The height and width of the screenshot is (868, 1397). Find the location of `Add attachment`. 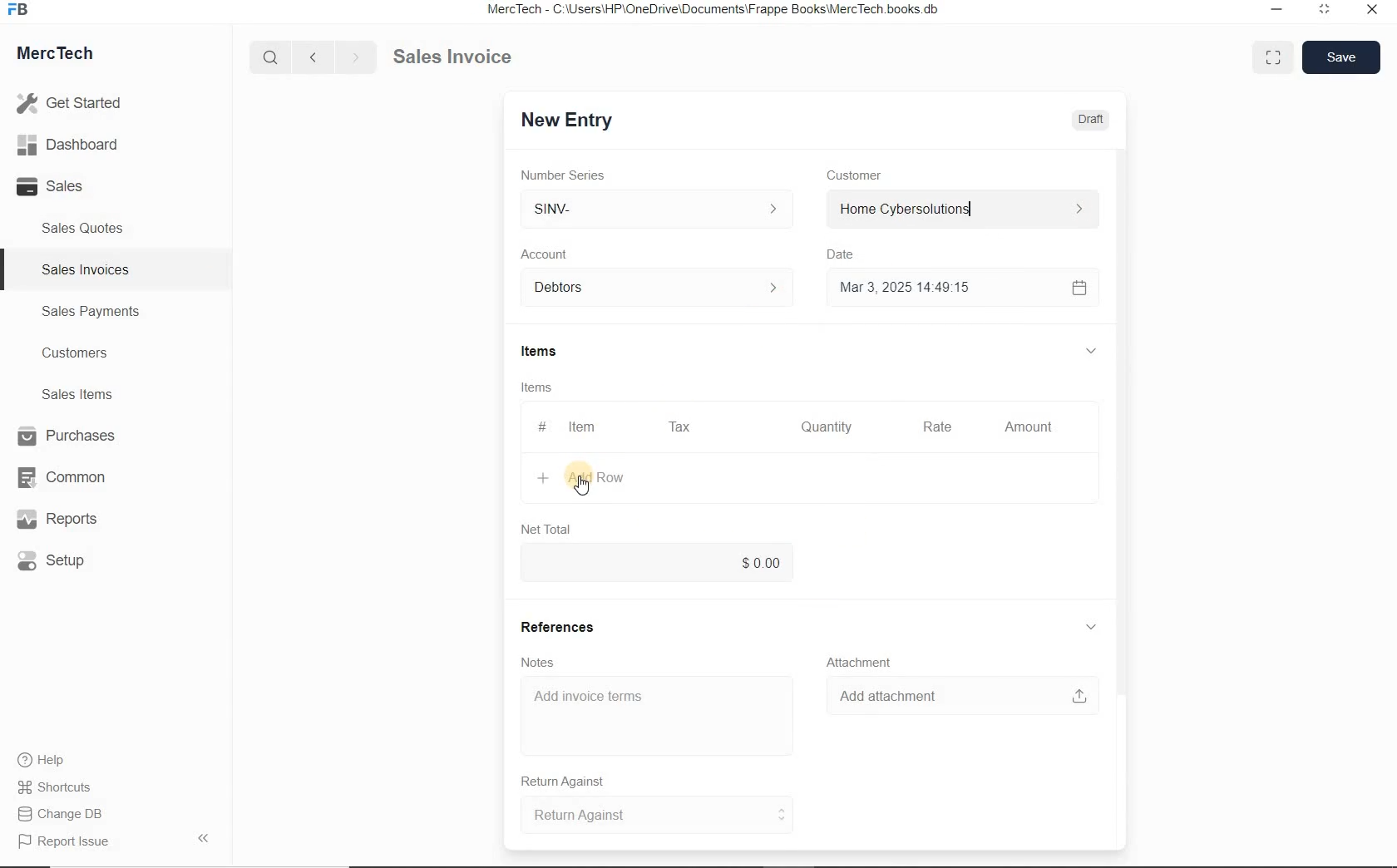

Add attachment is located at coordinates (962, 696).